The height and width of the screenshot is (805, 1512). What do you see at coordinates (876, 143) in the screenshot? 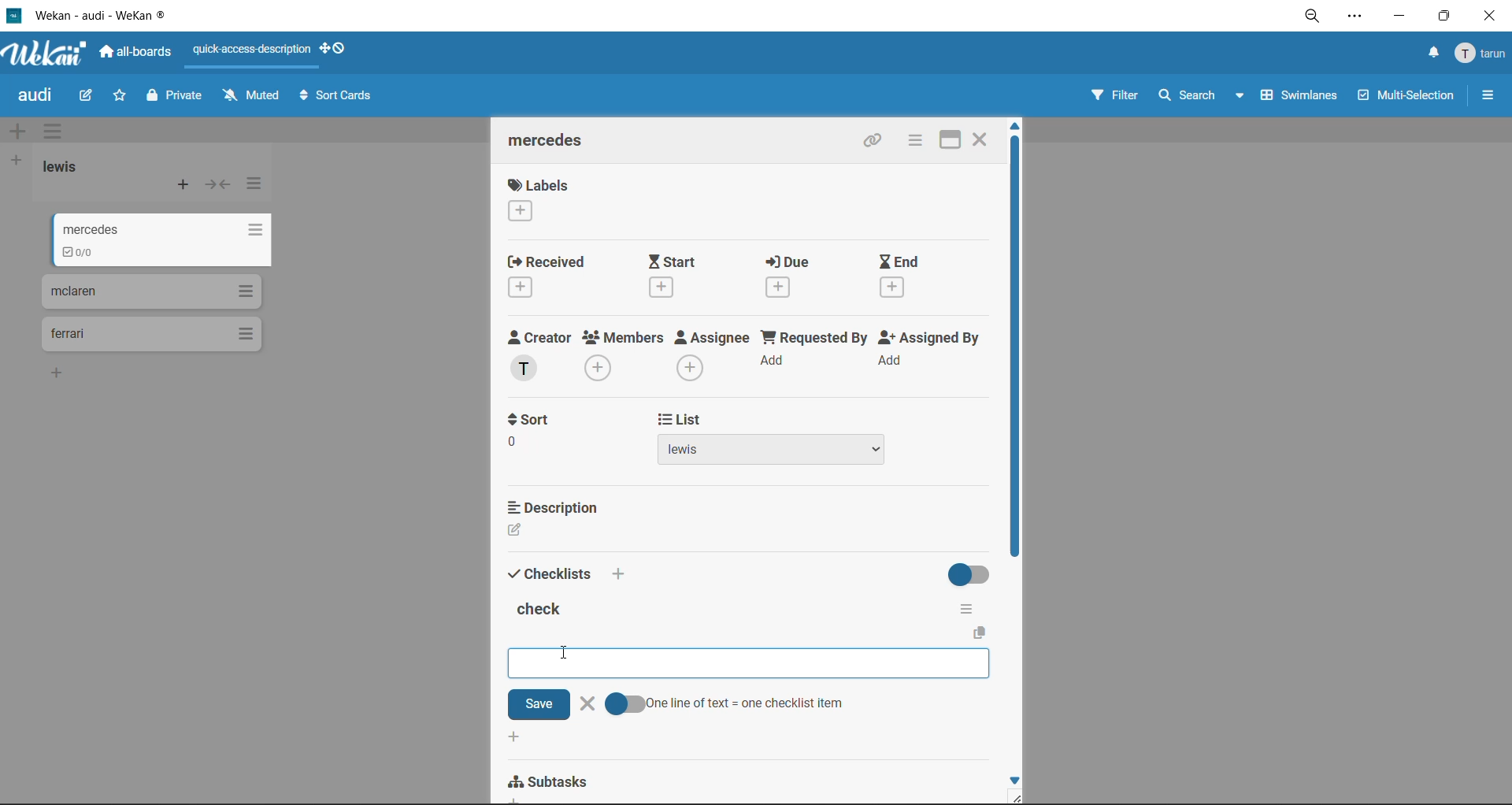
I see `copy` at bounding box center [876, 143].